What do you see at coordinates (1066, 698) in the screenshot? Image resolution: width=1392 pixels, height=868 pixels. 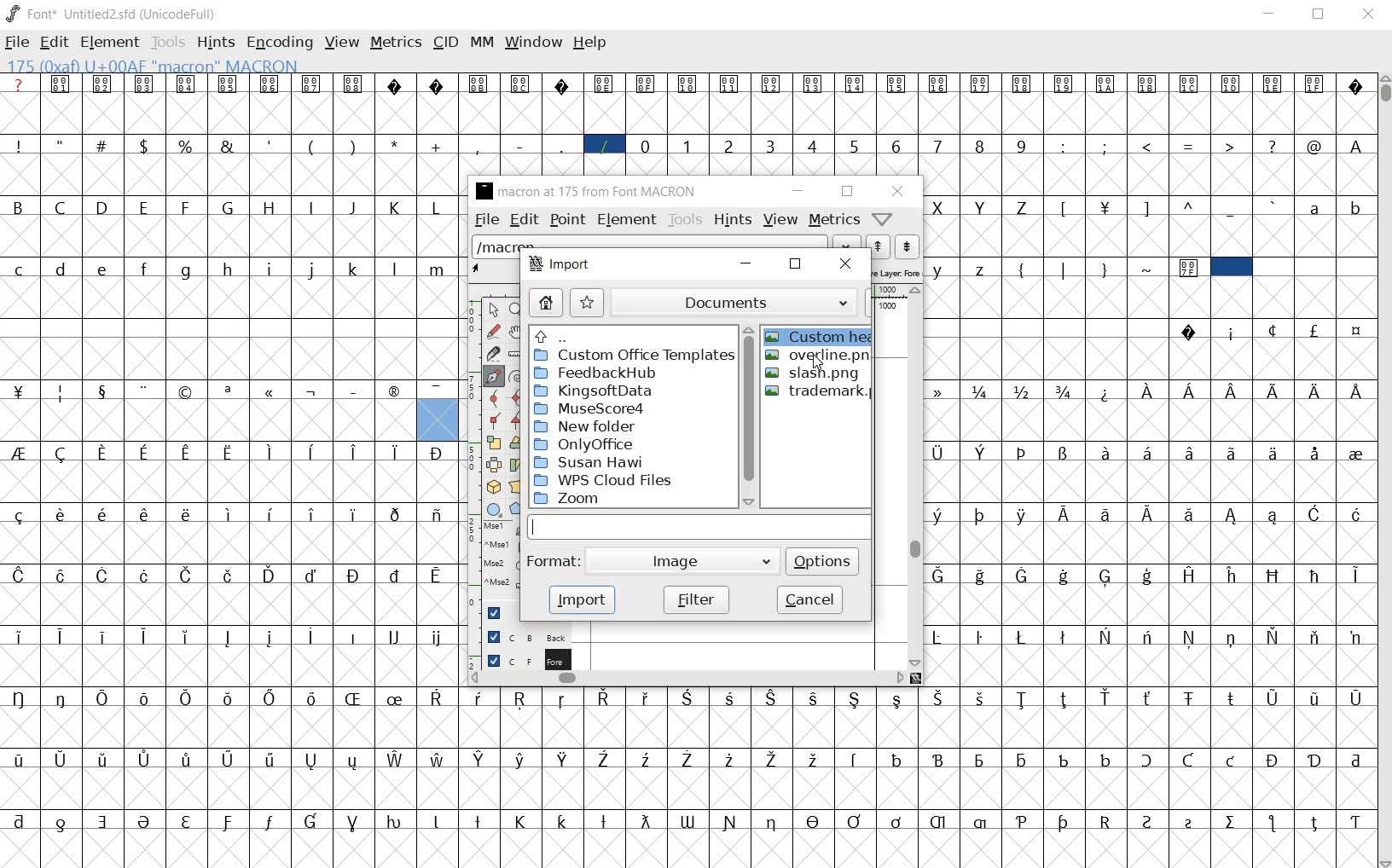 I see `Symbol` at bounding box center [1066, 698].